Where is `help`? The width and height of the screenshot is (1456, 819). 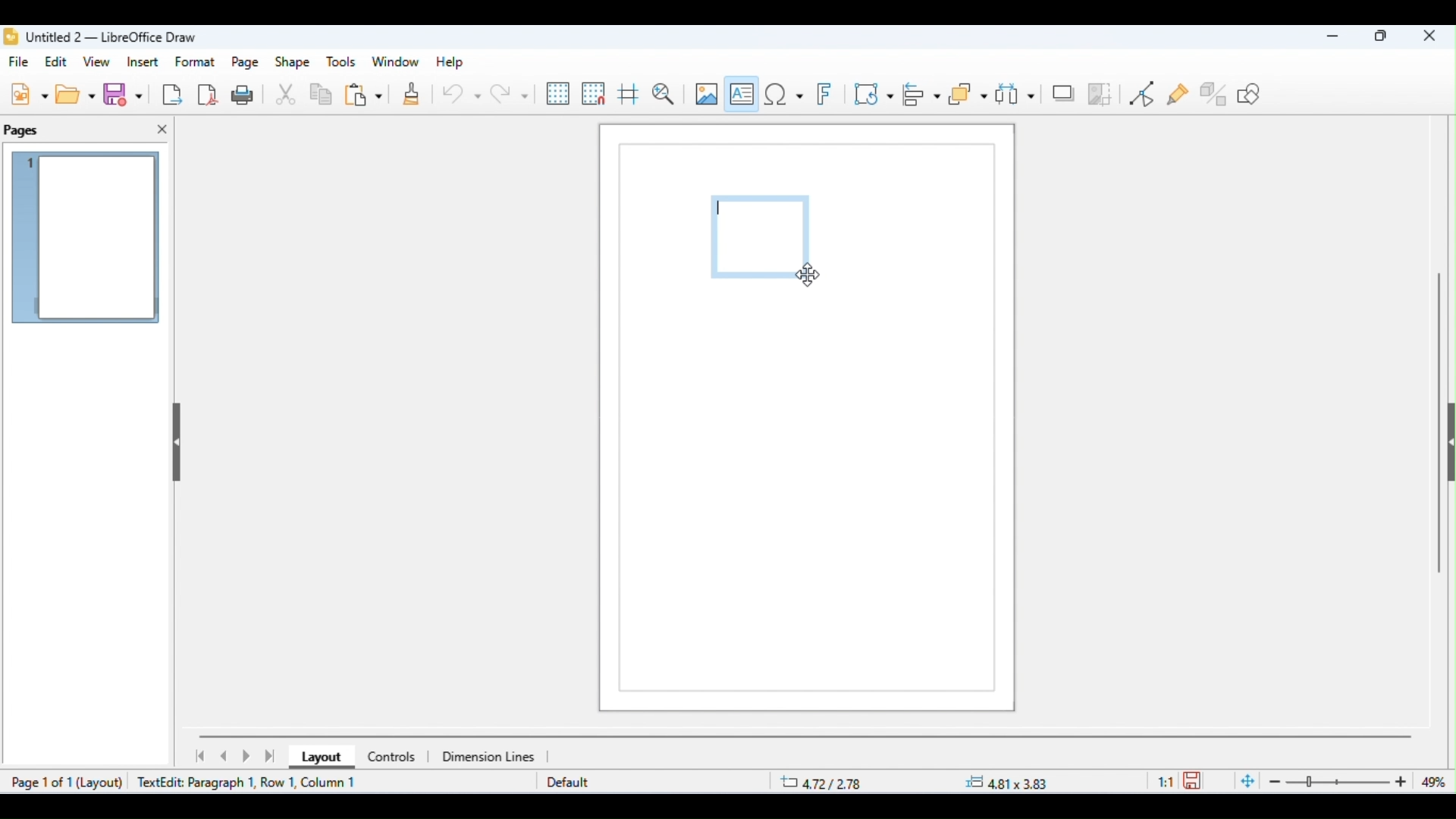 help is located at coordinates (447, 62).